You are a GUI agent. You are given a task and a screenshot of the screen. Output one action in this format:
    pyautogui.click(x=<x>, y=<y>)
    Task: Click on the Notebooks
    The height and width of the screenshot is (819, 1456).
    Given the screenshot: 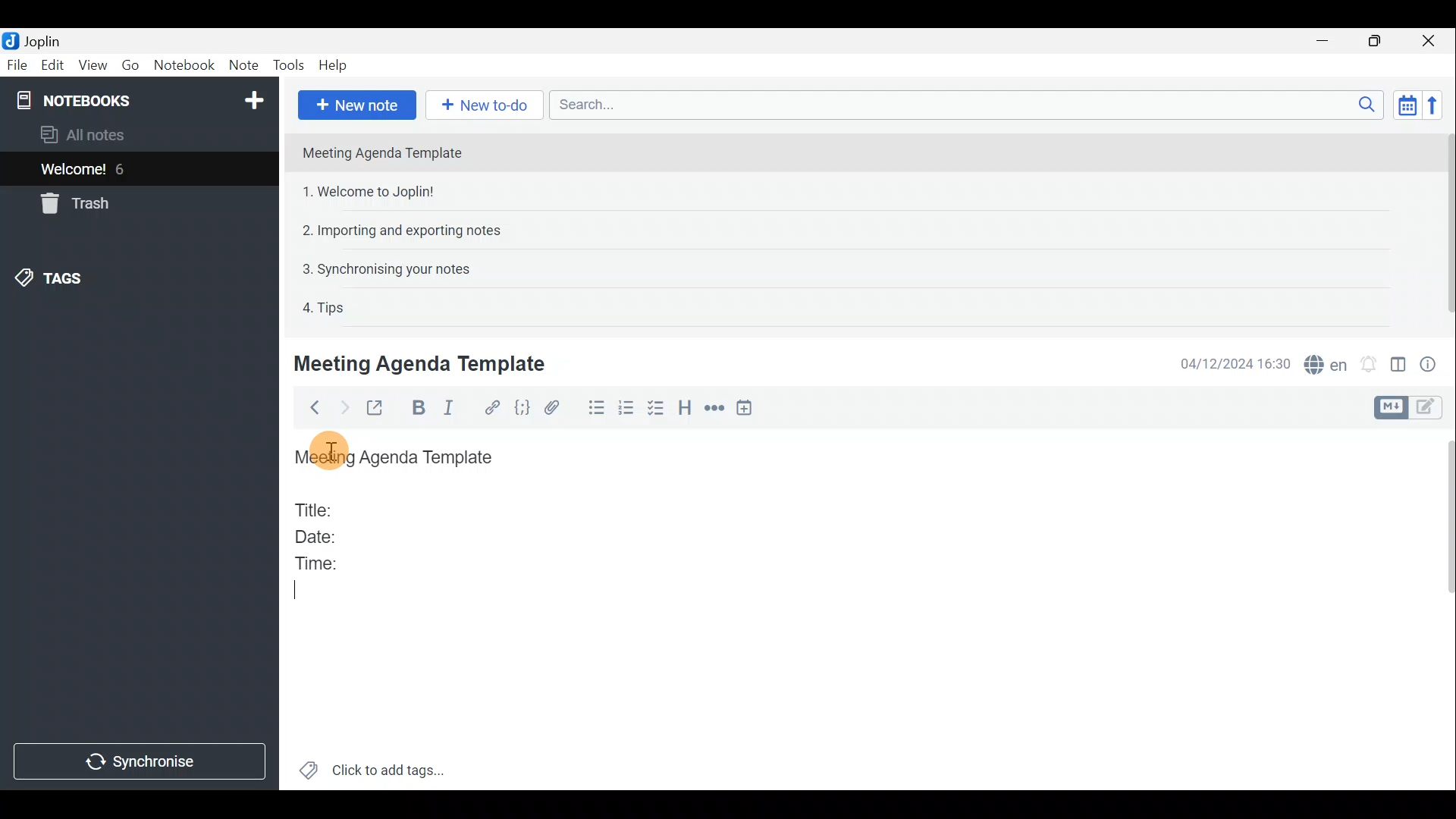 What is the action you would take?
    pyautogui.click(x=142, y=99)
    